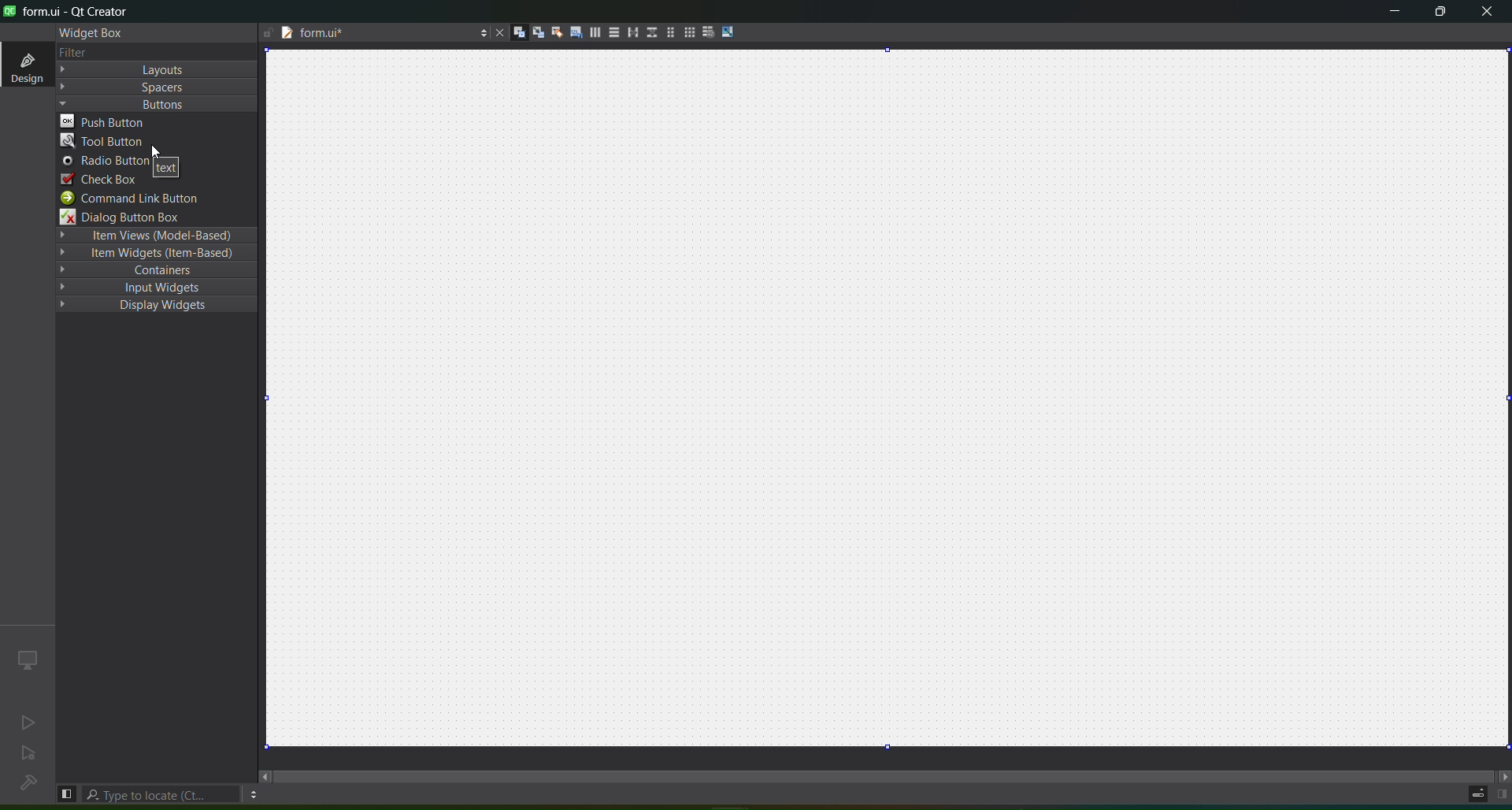 The height and width of the screenshot is (810, 1512). Describe the element at coordinates (159, 252) in the screenshot. I see `Item Widgets` at that location.